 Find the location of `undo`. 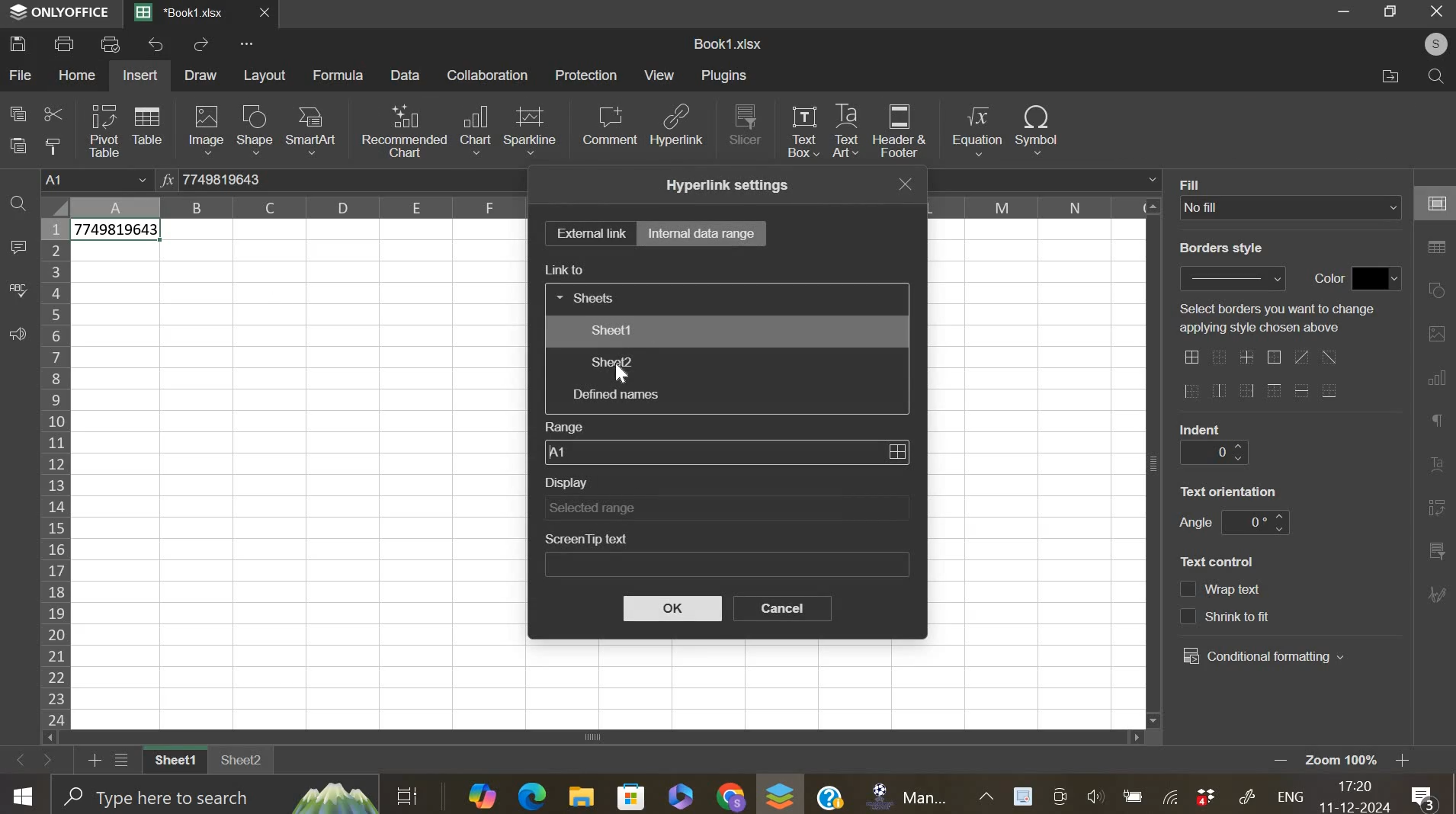

undo is located at coordinates (158, 44).